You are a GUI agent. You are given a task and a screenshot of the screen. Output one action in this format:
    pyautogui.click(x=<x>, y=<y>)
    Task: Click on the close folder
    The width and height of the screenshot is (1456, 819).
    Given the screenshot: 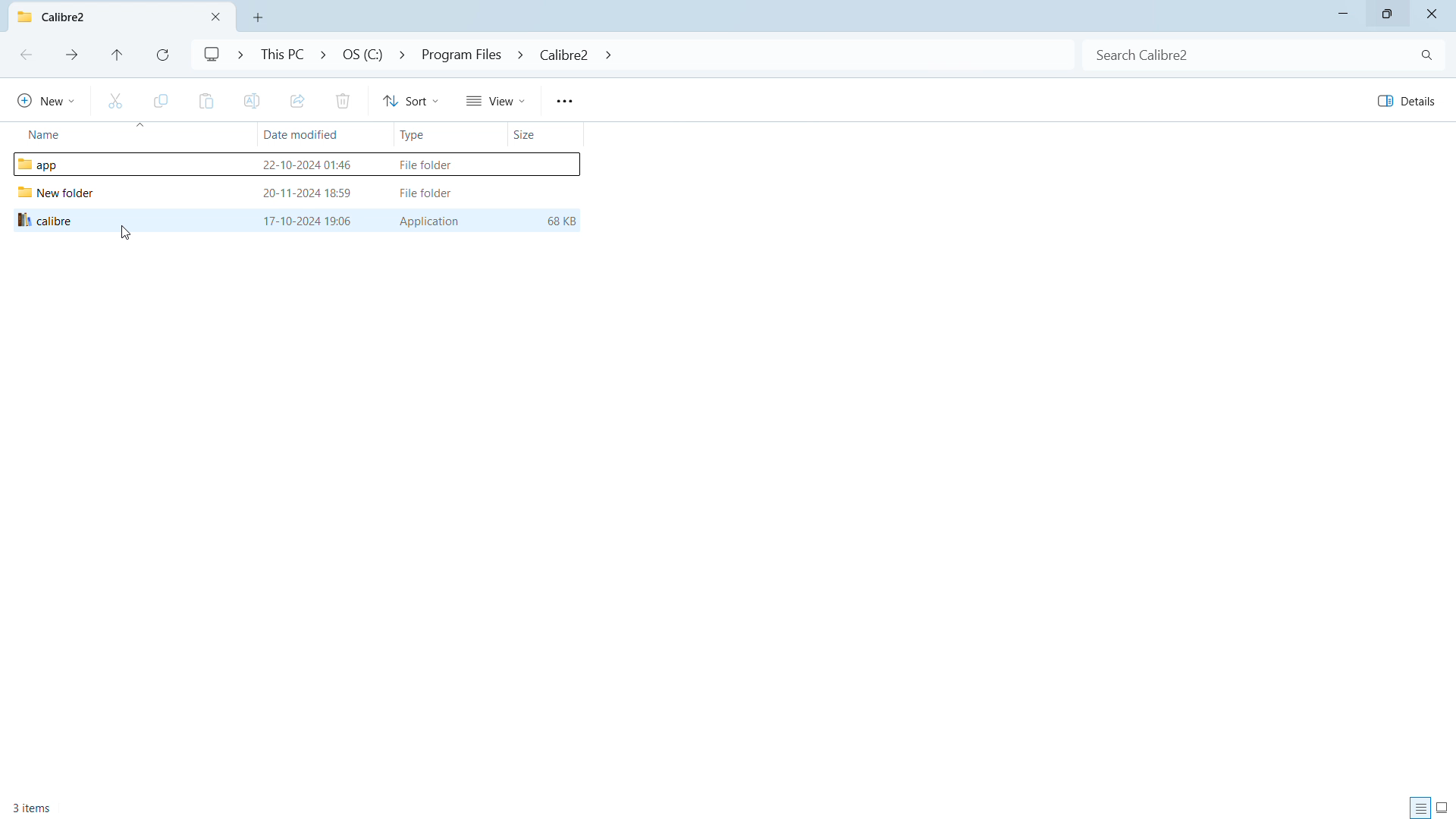 What is the action you would take?
    pyautogui.click(x=215, y=17)
    